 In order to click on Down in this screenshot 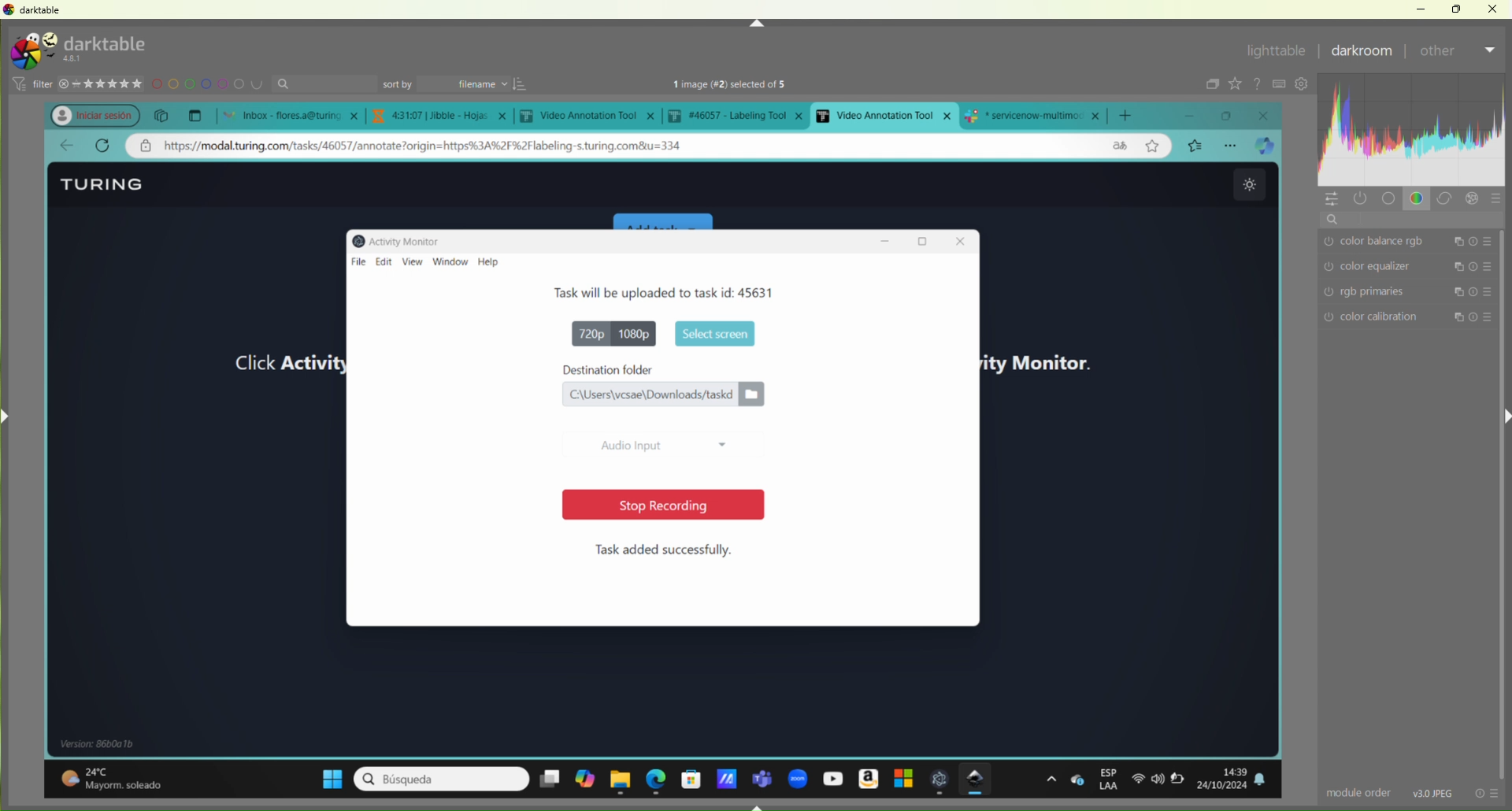, I will do `click(758, 805)`.